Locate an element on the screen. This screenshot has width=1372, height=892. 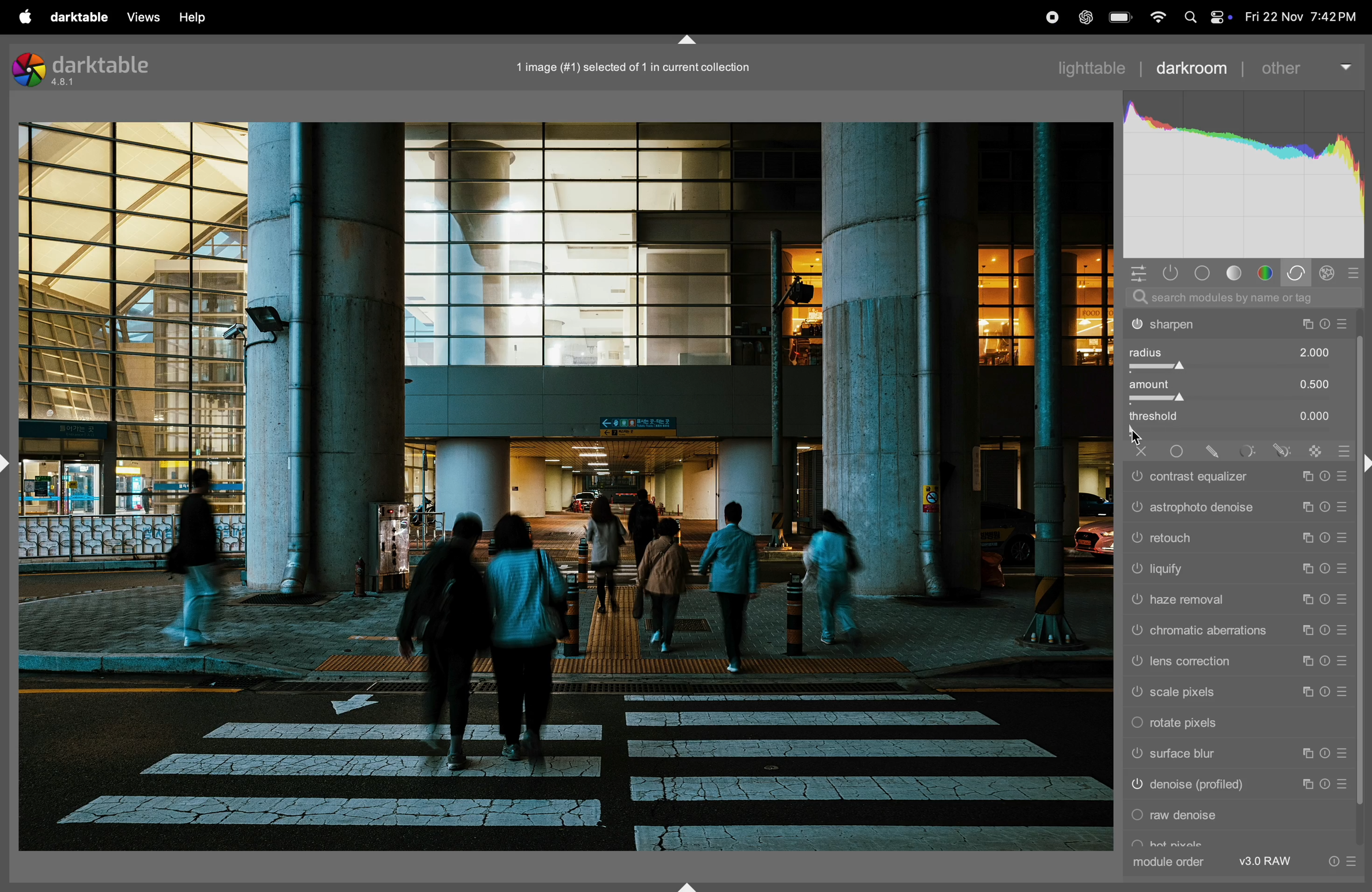
haze tool is located at coordinates (1235, 601).